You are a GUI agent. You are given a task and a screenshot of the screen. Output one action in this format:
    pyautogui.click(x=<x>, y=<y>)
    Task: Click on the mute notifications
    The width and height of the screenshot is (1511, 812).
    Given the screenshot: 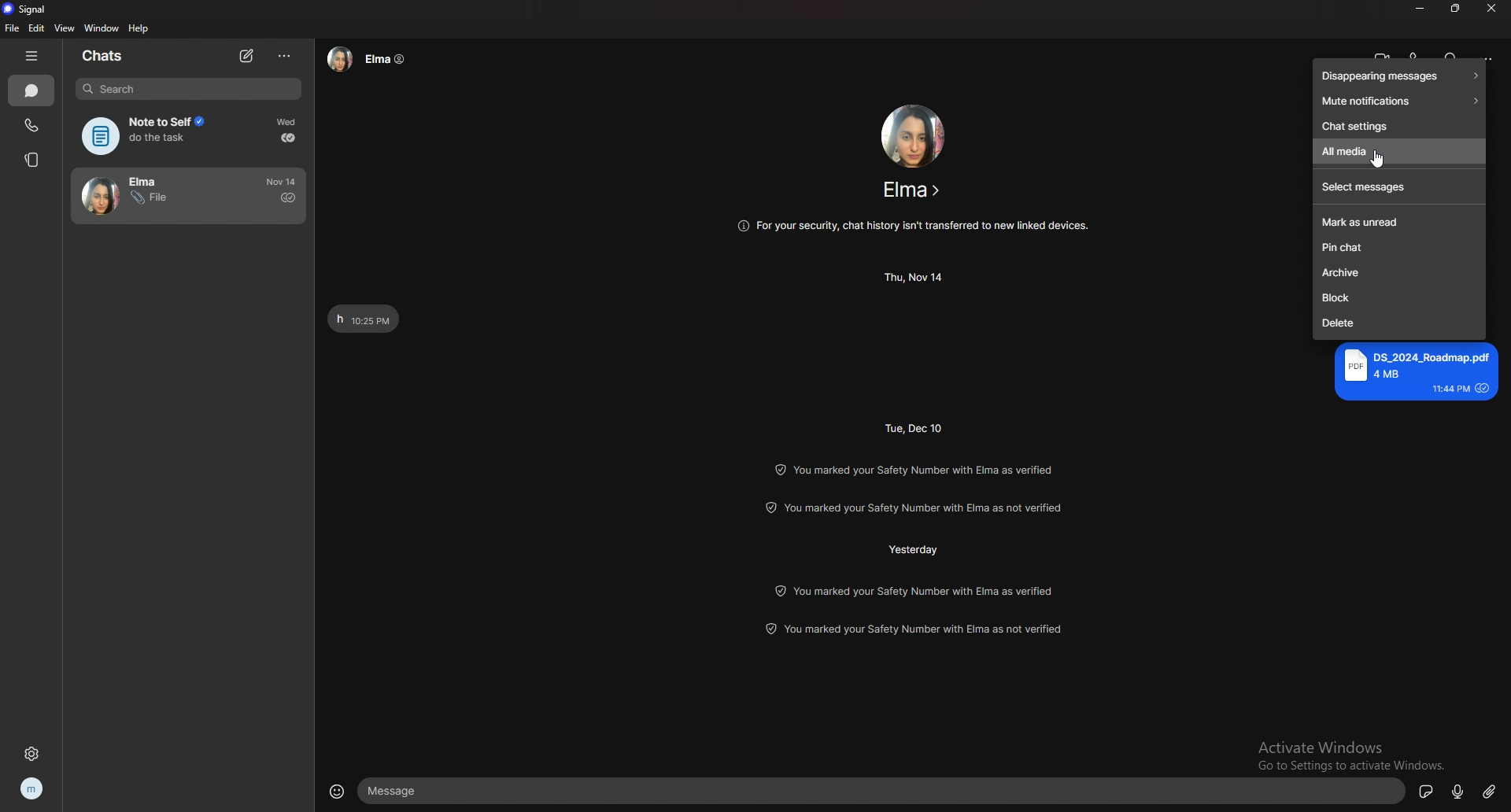 What is the action you would take?
    pyautogui.click(x=1399, y=101)
    